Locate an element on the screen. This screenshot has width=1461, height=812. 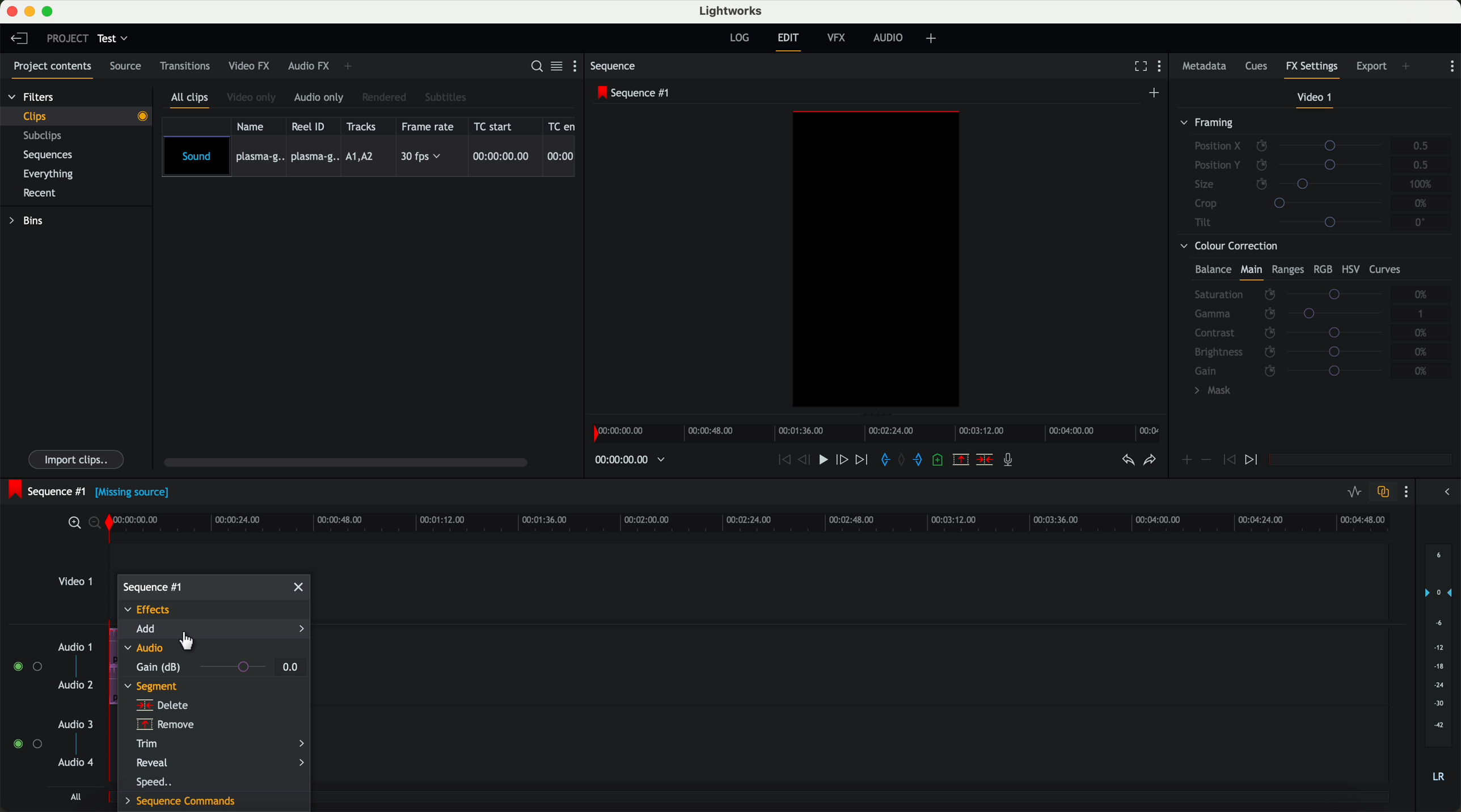
timeline is located at coordinates (880, 433).